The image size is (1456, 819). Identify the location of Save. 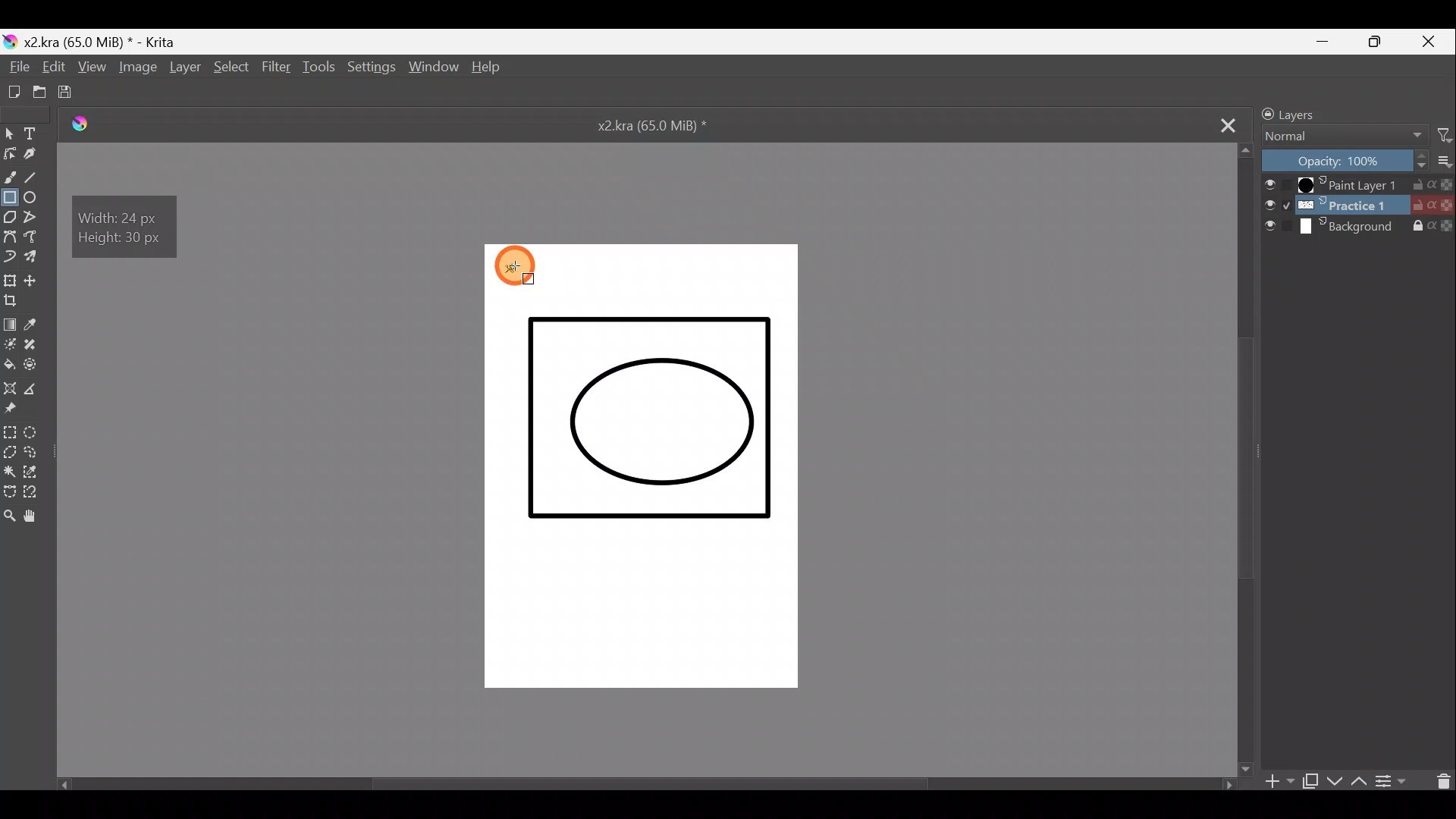
(71, 93).